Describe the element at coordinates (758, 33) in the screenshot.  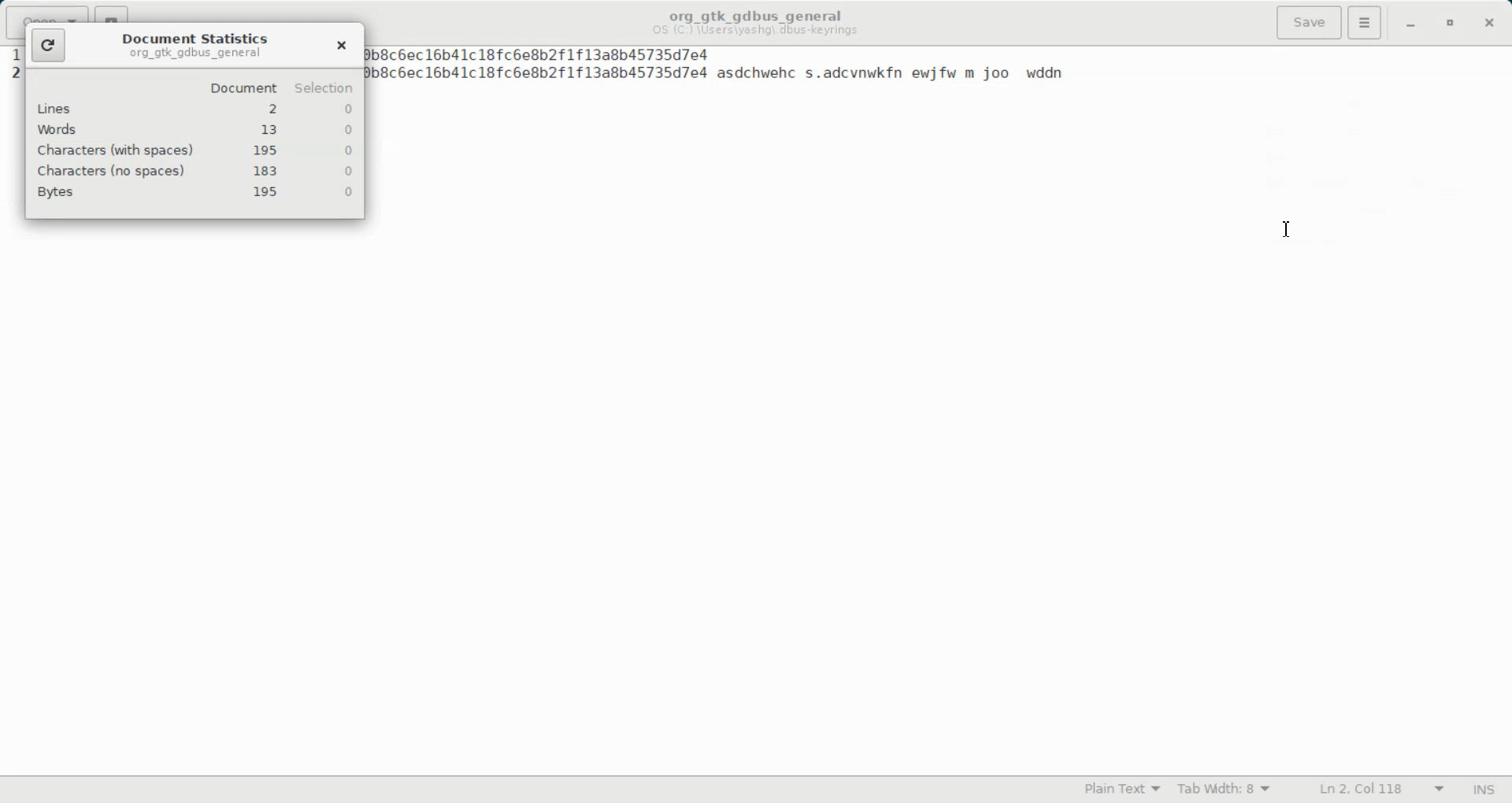
I see `OS (C) \Users\yashg\ dbus -keyrings` at that location.